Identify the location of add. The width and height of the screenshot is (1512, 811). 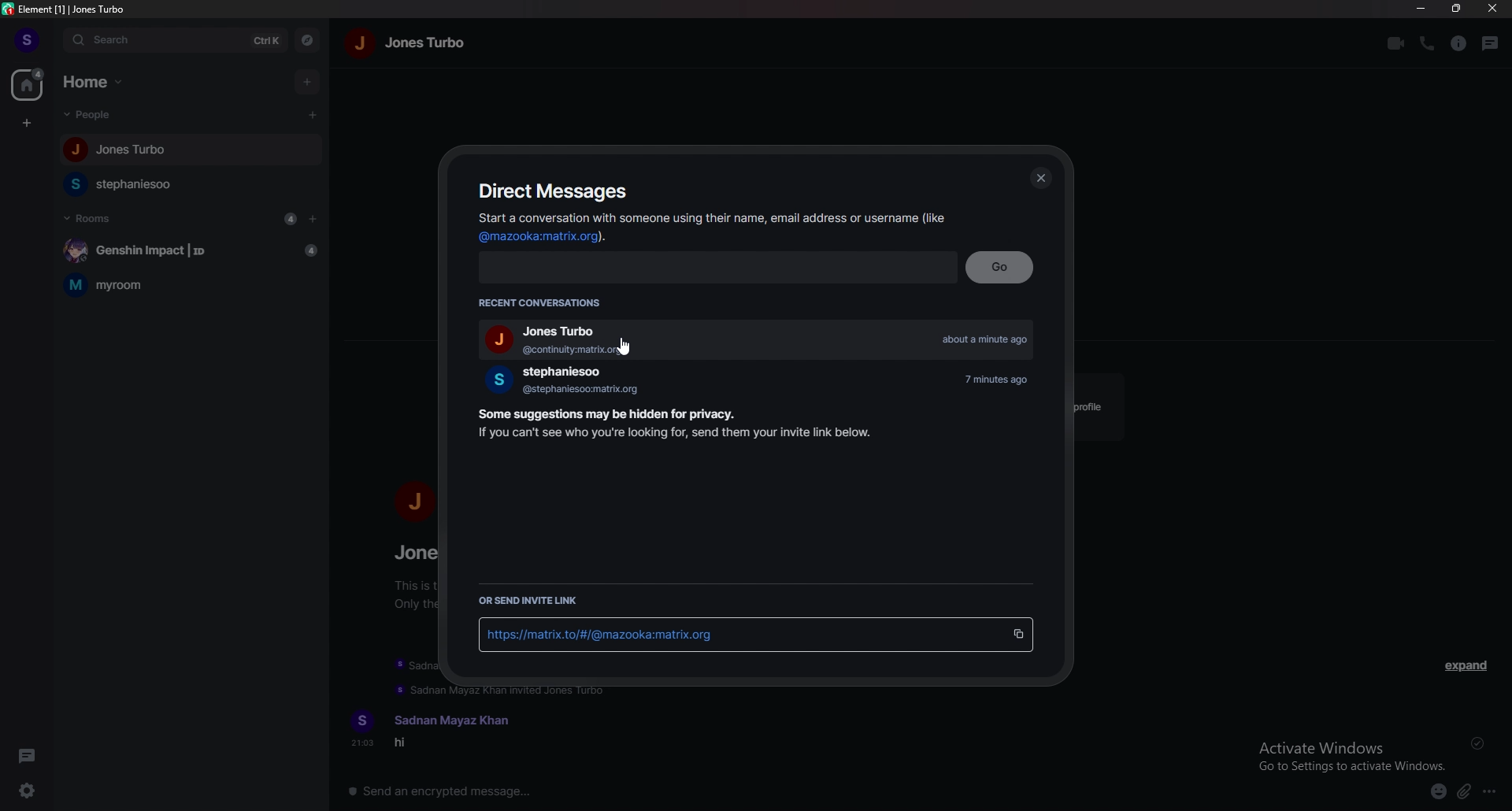
(307, 81).